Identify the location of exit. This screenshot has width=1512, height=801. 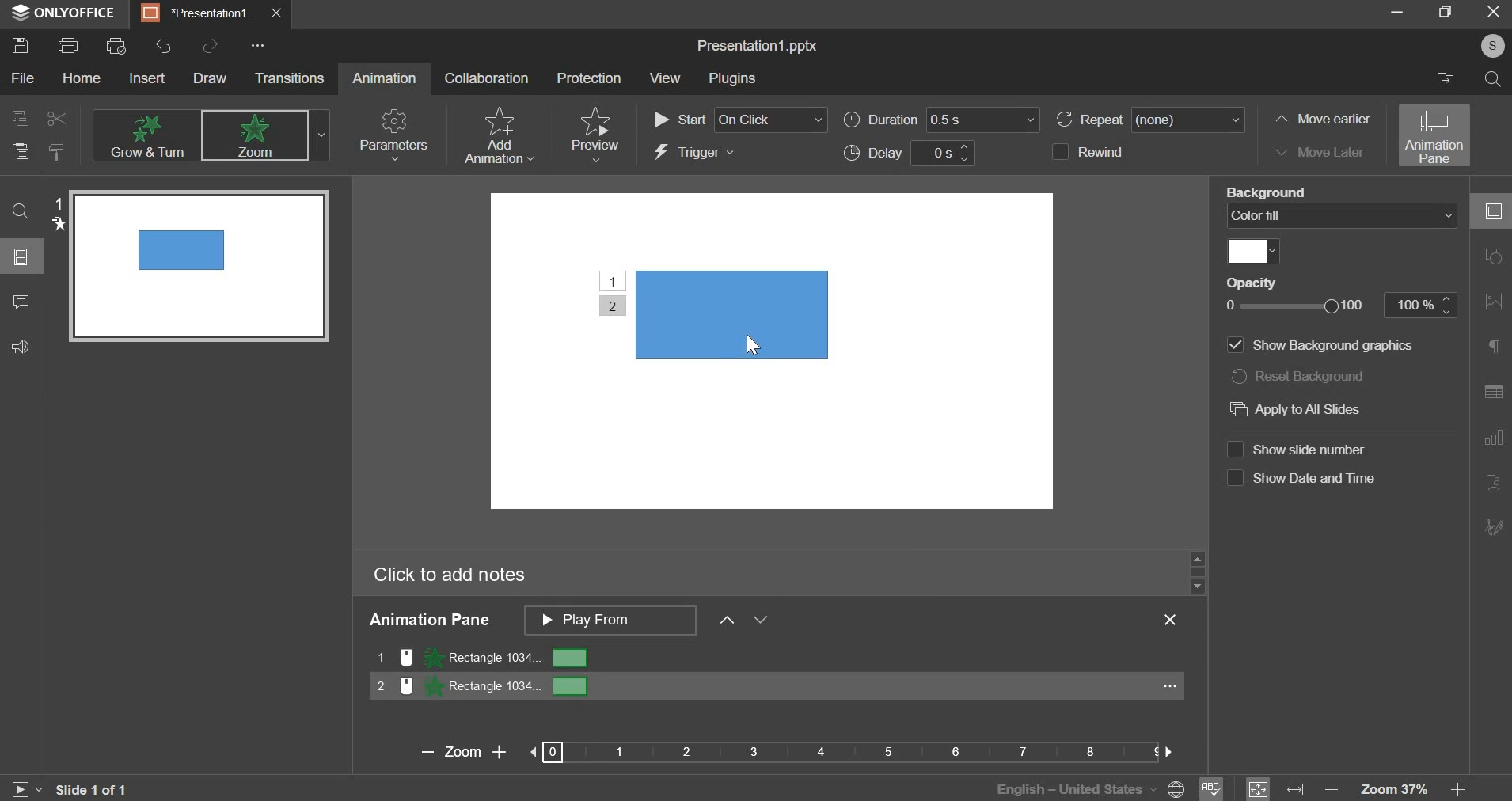
(1491, 13).